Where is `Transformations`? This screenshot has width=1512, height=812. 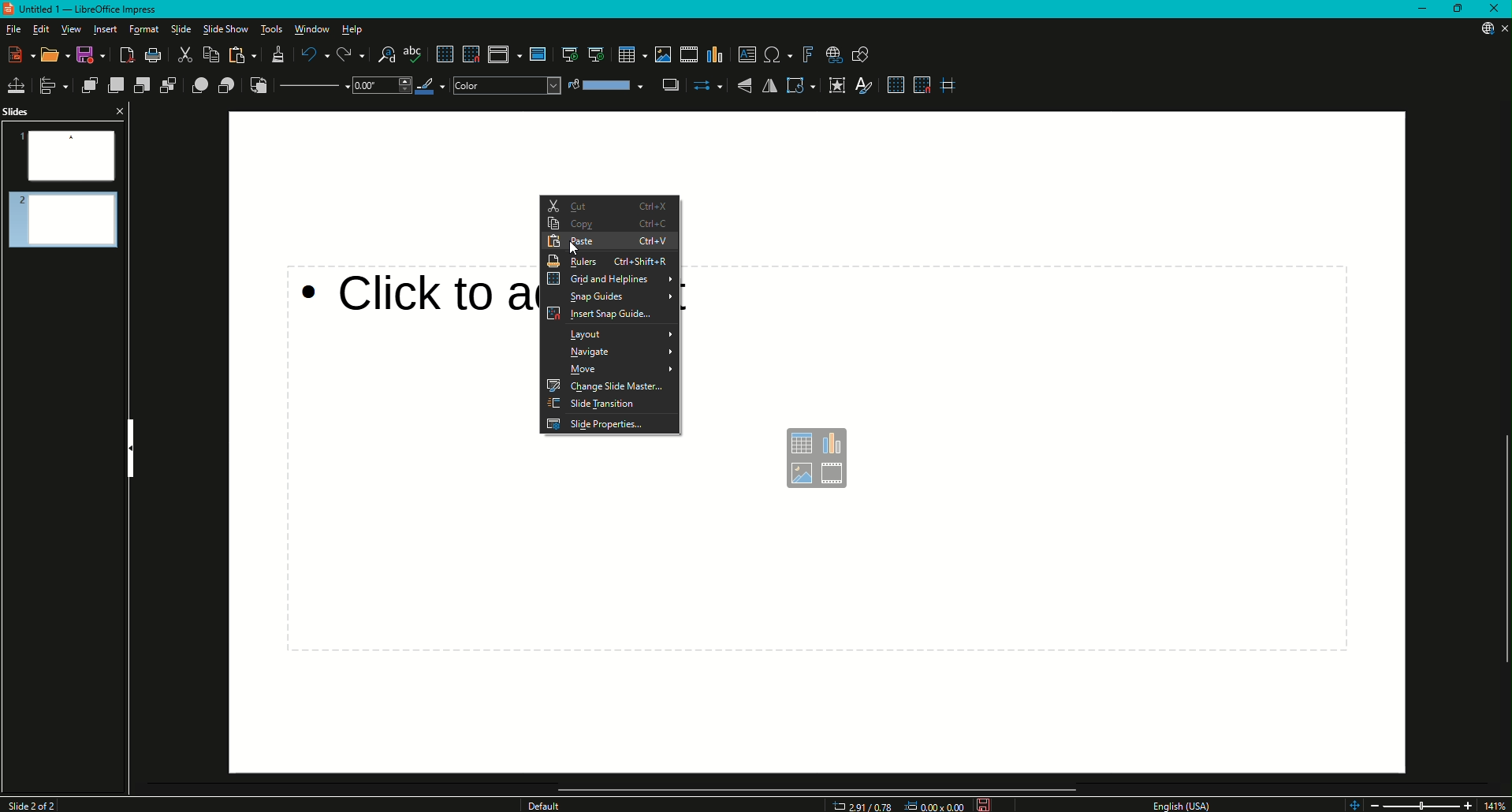
Transformations is located at coordinates (803, 87).